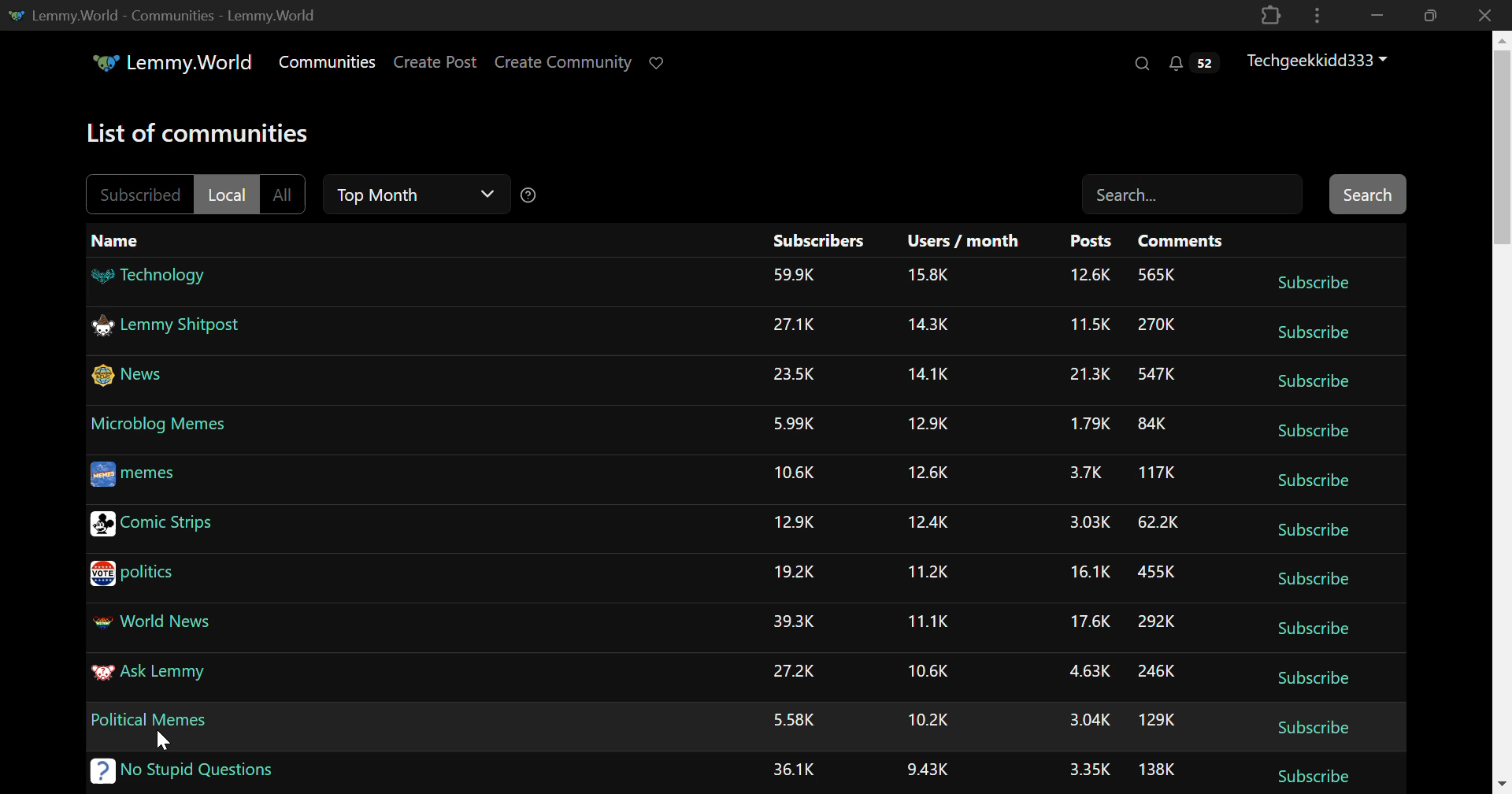  Describe the element at coordinates (795, 624) in the screenshot. I see `Amount` at that location.